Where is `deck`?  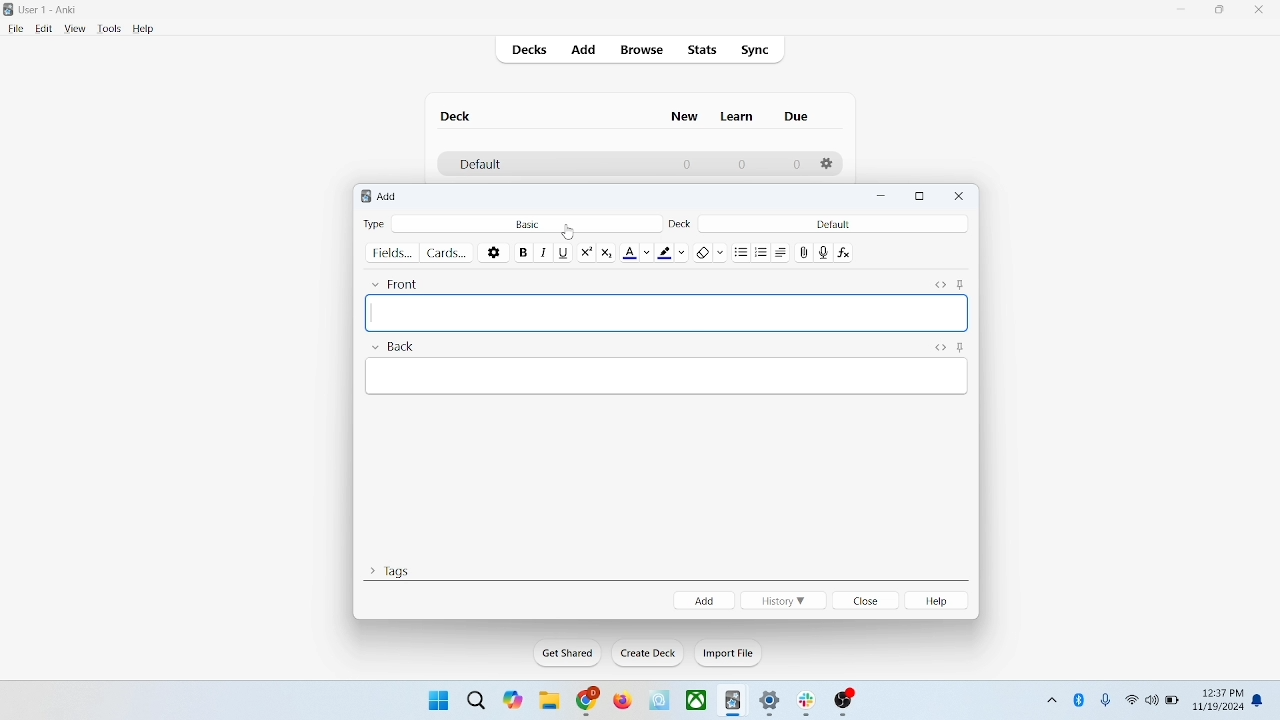
deck is located at coordinates (458, 116).